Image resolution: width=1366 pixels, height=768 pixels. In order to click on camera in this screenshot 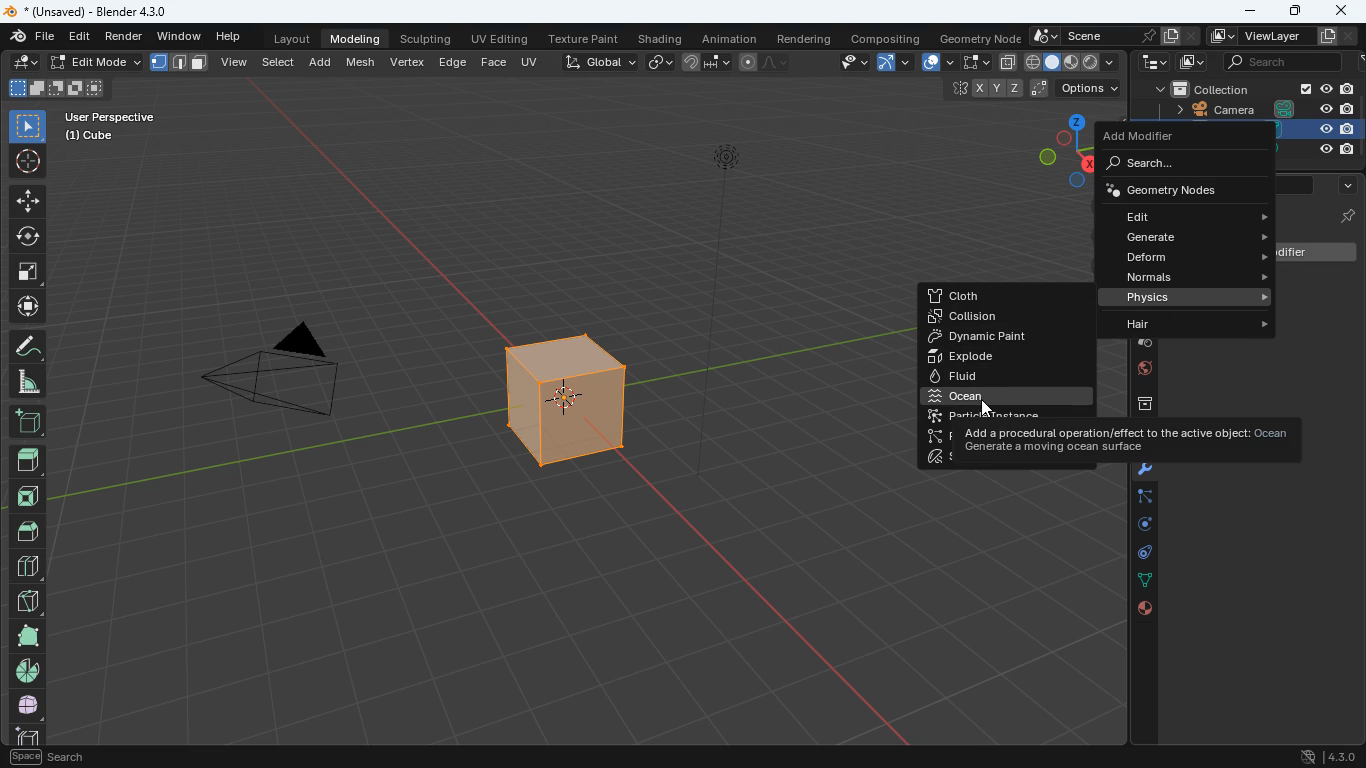, I will do `click(1258, 110)`.